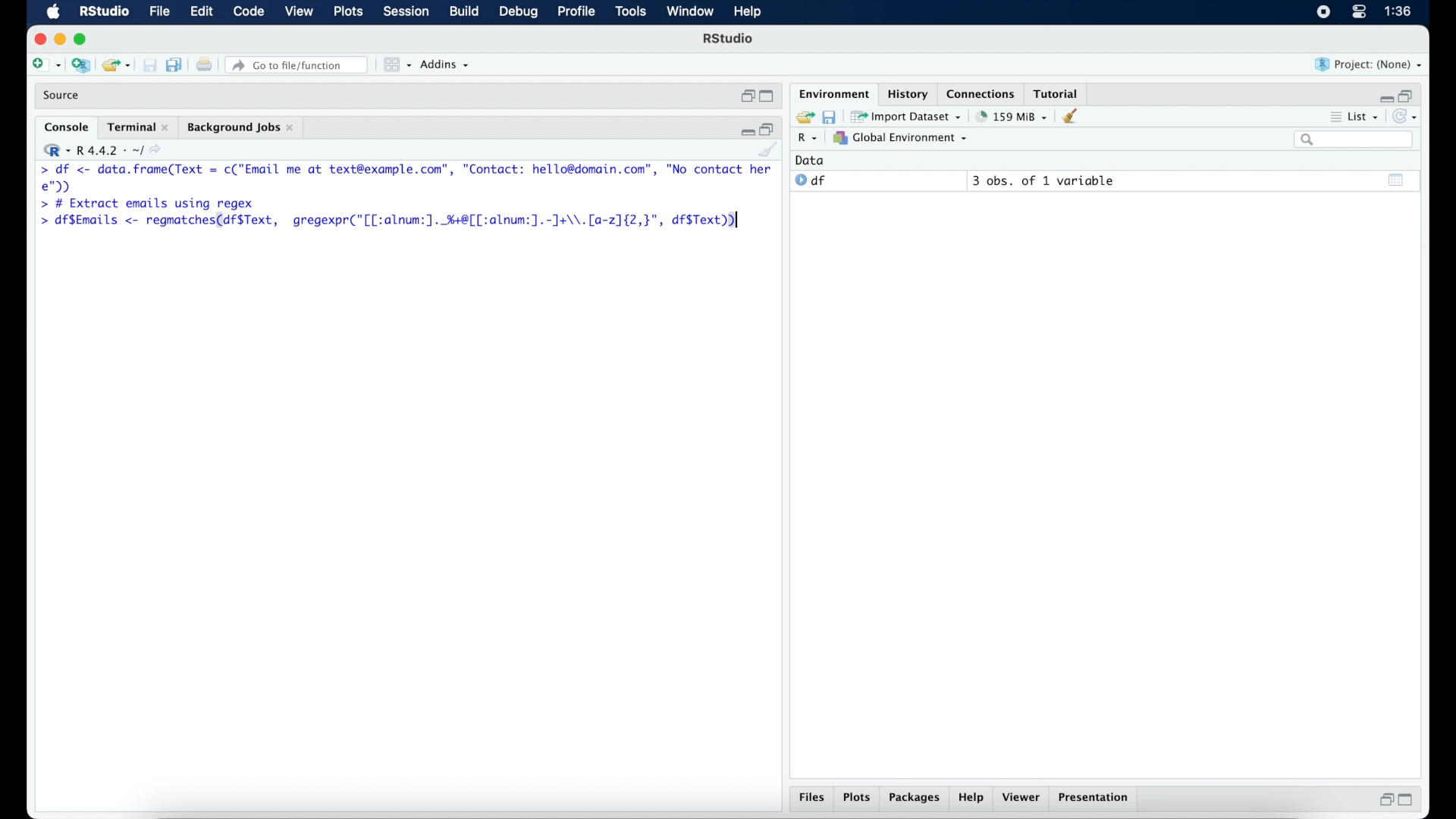 The height and width of the screenshot is (819, 1456). What do you see at coordinates (1073, 117) in the screenshot?
I see `clear console` at bounding box center [1073, 117].